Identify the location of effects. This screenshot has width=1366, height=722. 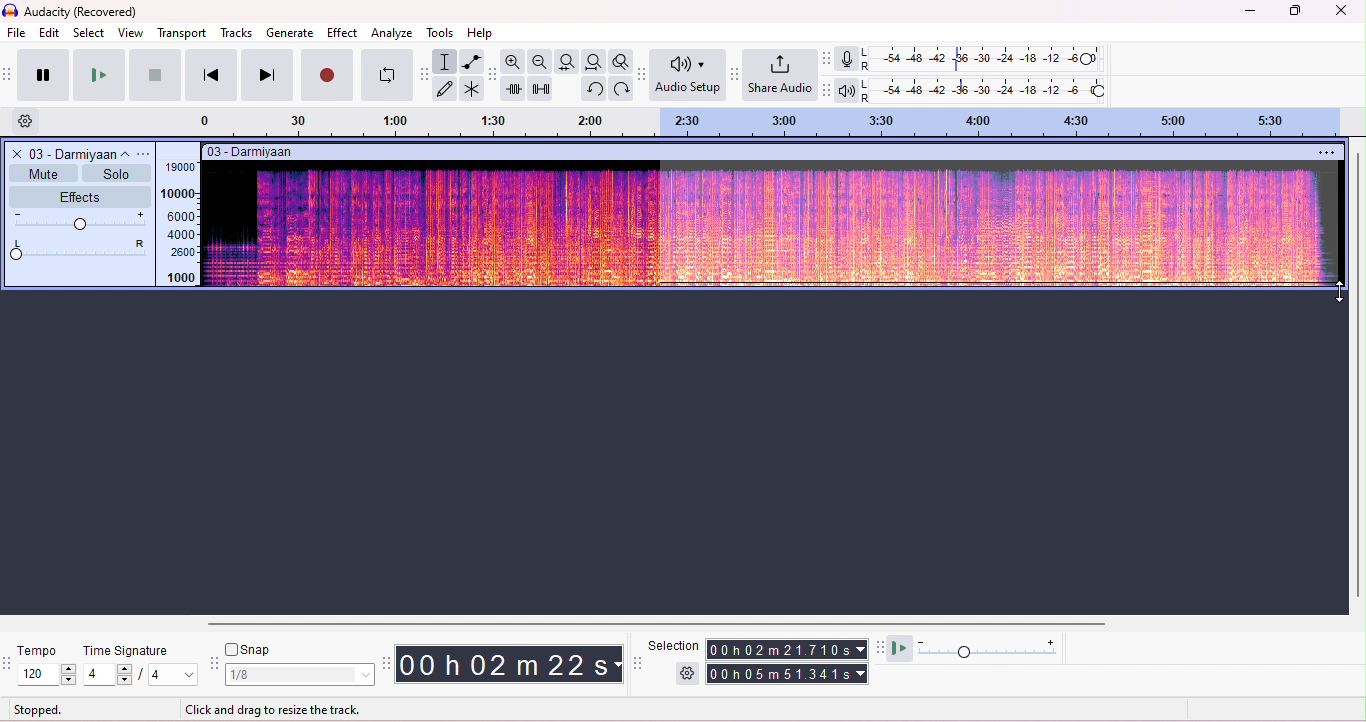
(79, 197).